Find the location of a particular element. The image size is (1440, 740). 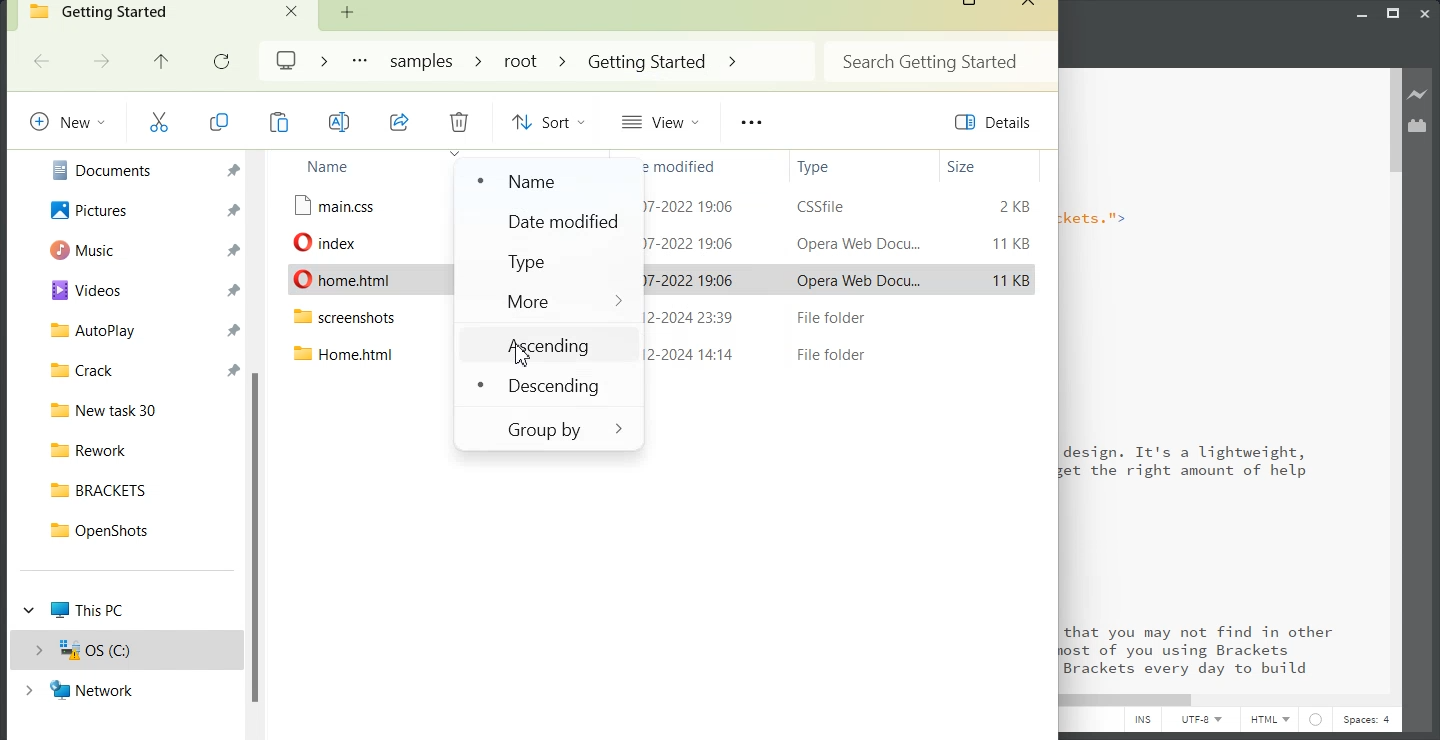

date modified is located at coordinates (692, 354).